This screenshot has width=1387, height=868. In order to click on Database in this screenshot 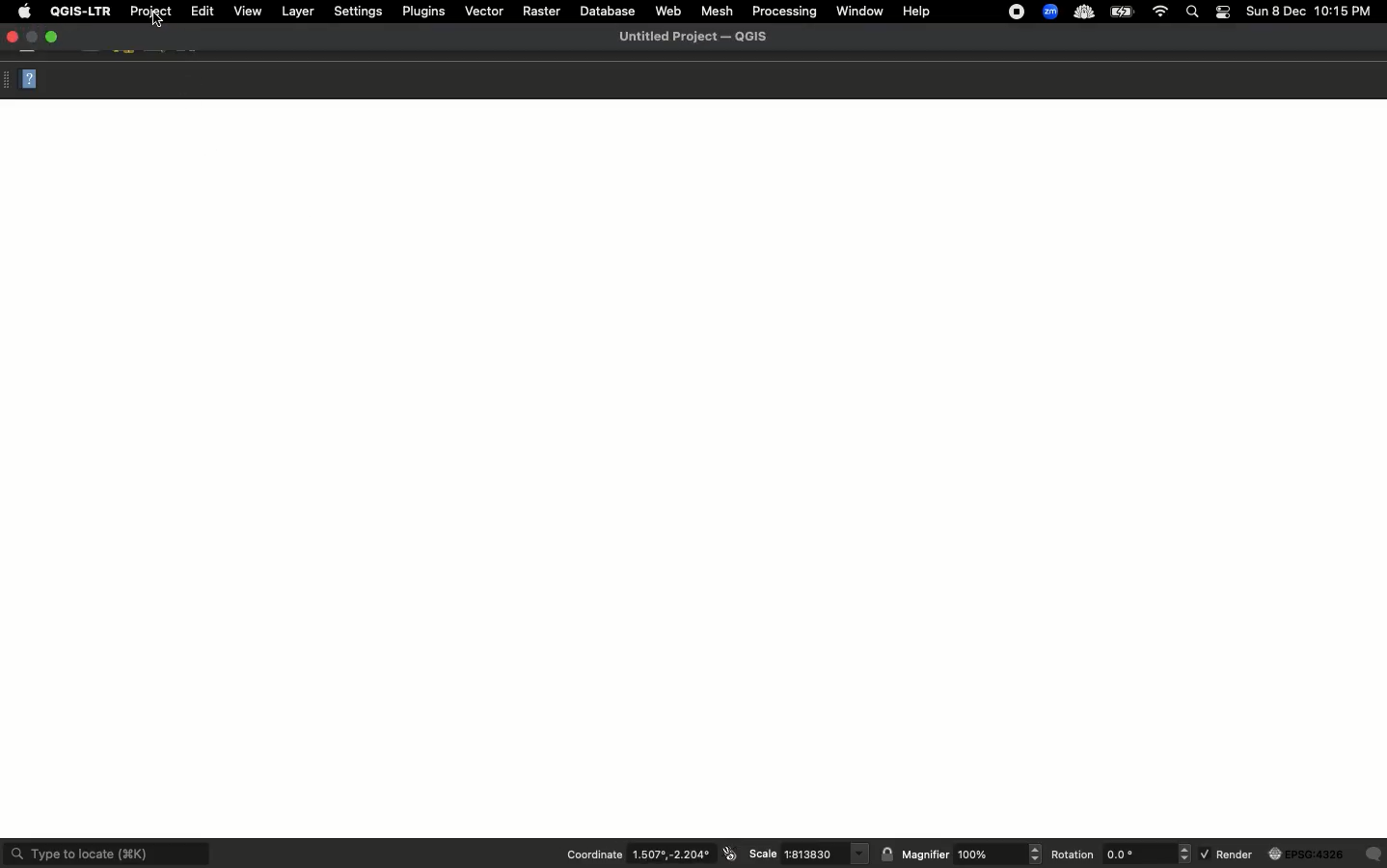, I will do `click(610, 10)`.